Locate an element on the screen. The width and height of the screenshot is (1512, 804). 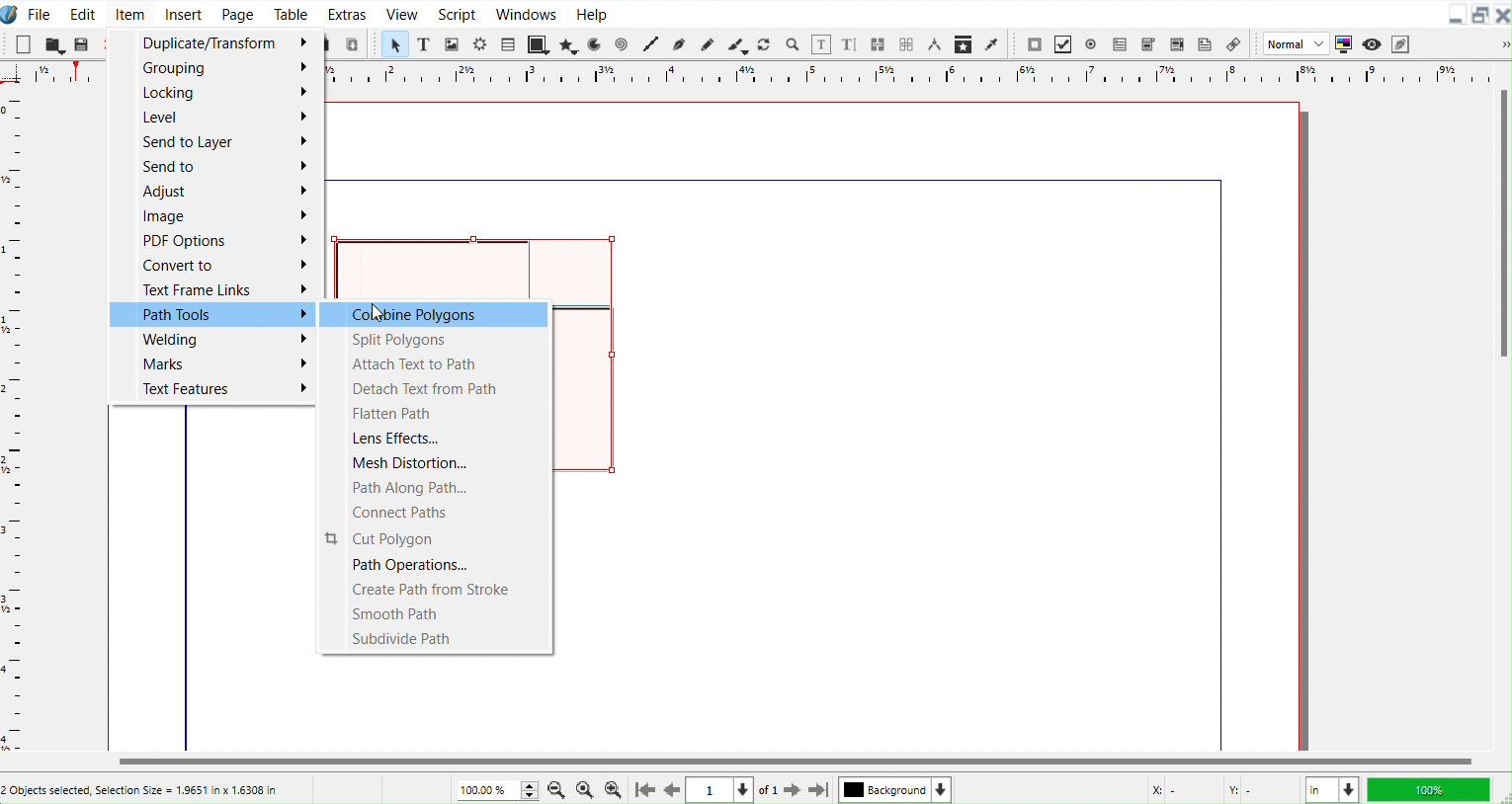
Send to is located at coordinates (214, 168).